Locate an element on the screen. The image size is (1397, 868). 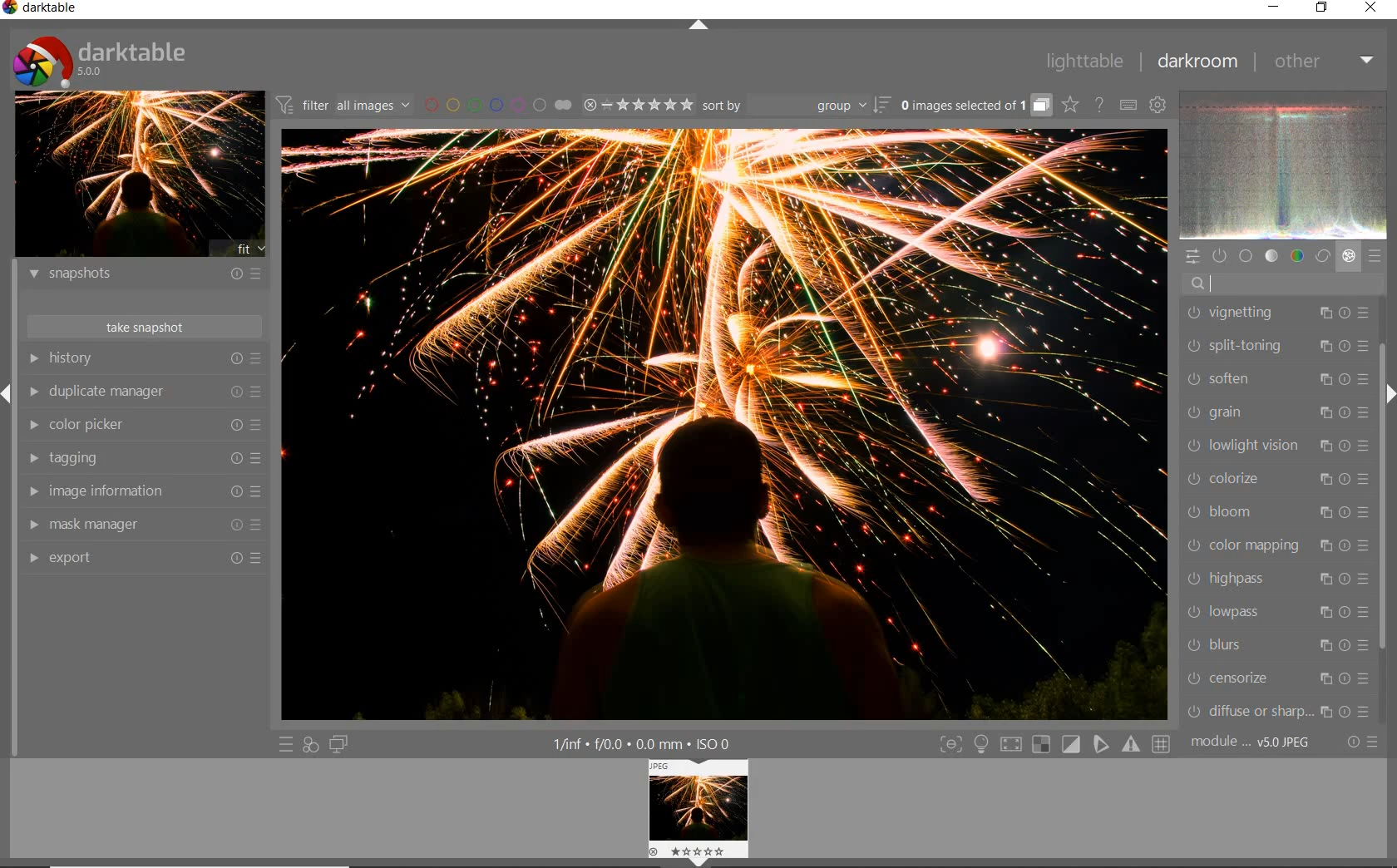
lowlight vision is located at coordinates (1276, 446).